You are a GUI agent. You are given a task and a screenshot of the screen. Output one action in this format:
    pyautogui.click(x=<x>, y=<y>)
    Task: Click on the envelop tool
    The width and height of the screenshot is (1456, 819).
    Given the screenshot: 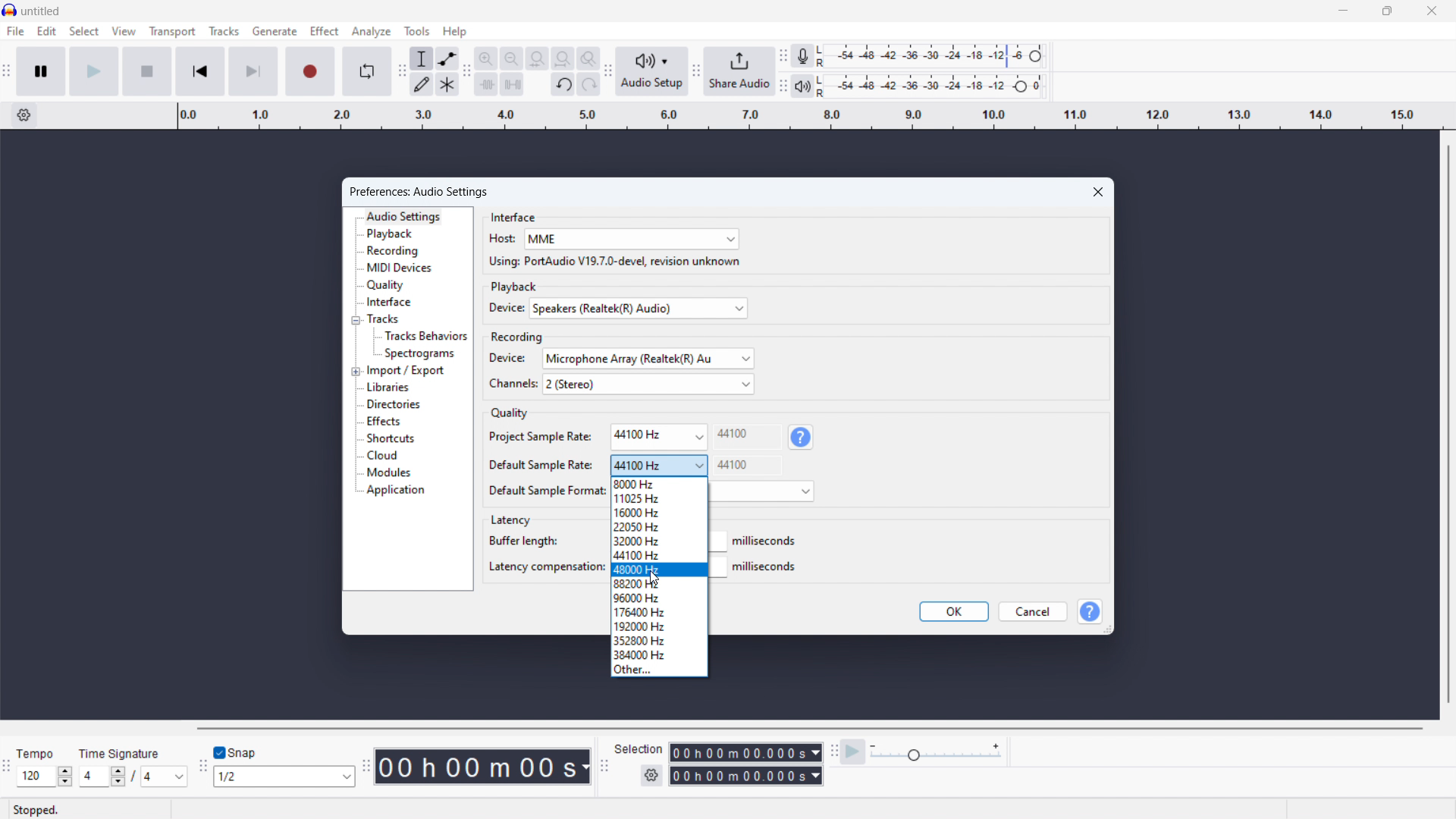 What is the action you would take?
    pyautogui.click(x=447, y=58)
    